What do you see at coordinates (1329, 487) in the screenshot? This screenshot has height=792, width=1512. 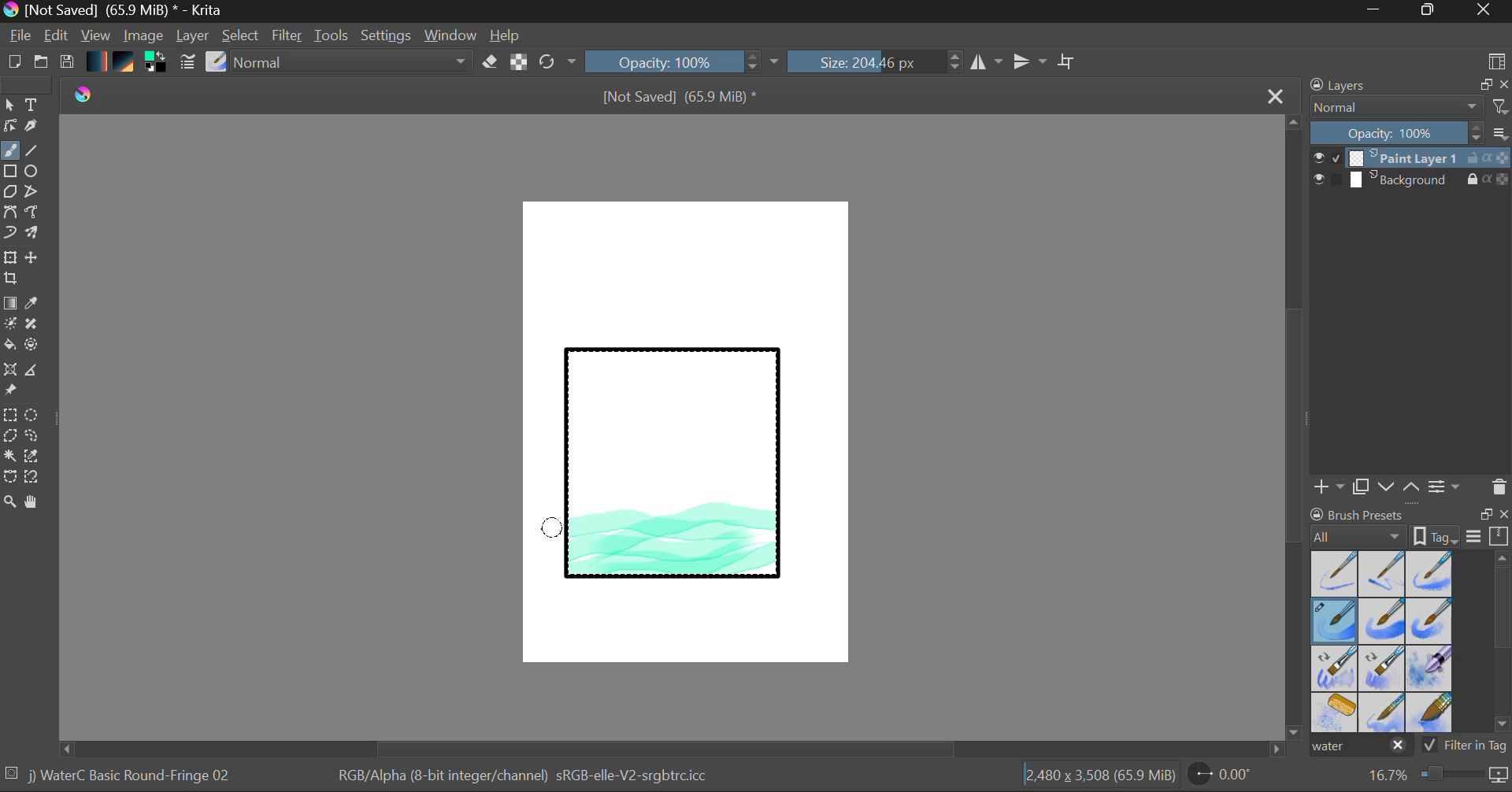 I see `Add Layer` at bounding box center [1329, 487].